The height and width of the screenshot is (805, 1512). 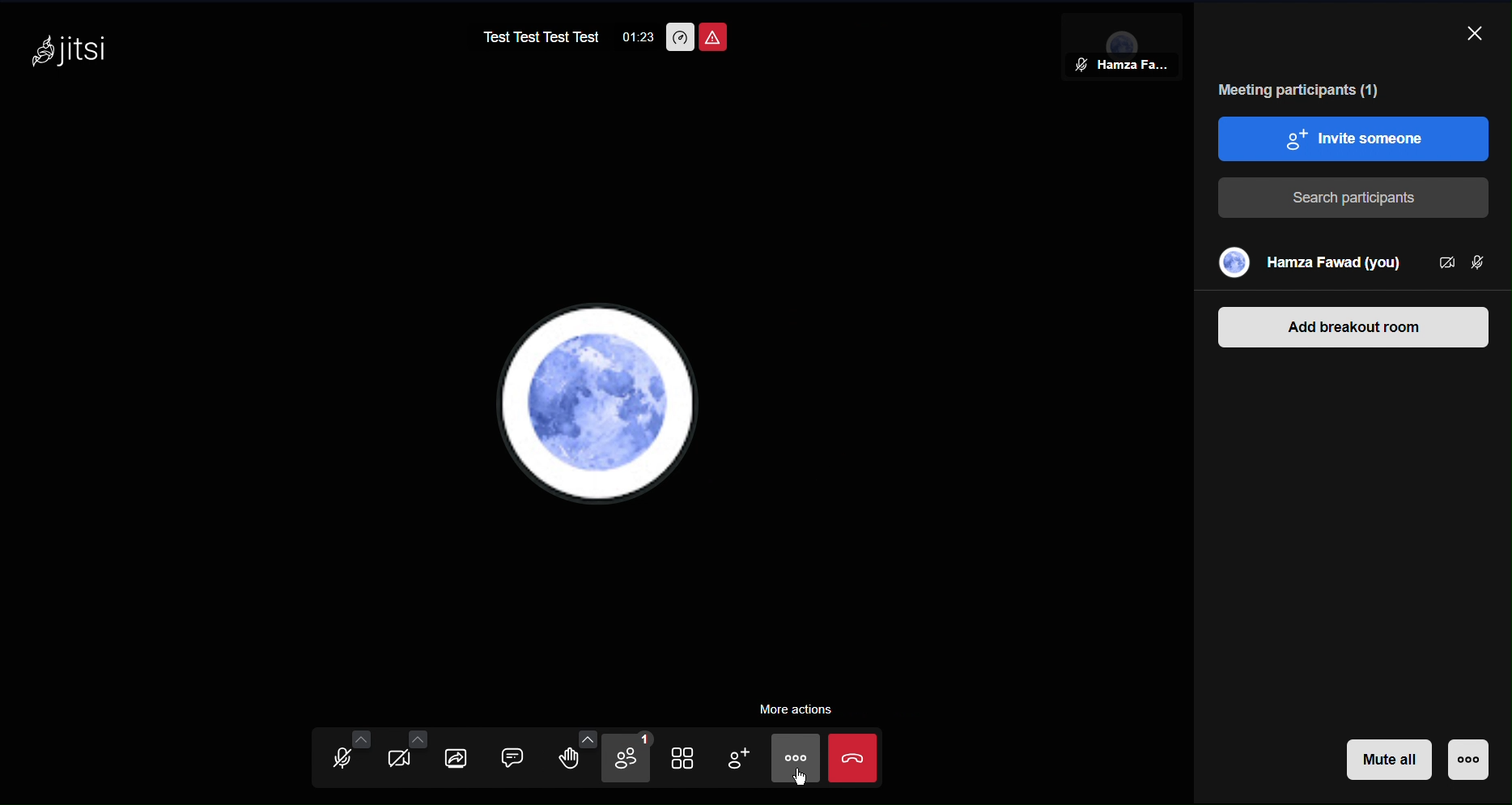 I want to click on Meeting Unsafe, so click(x=718, y=40).